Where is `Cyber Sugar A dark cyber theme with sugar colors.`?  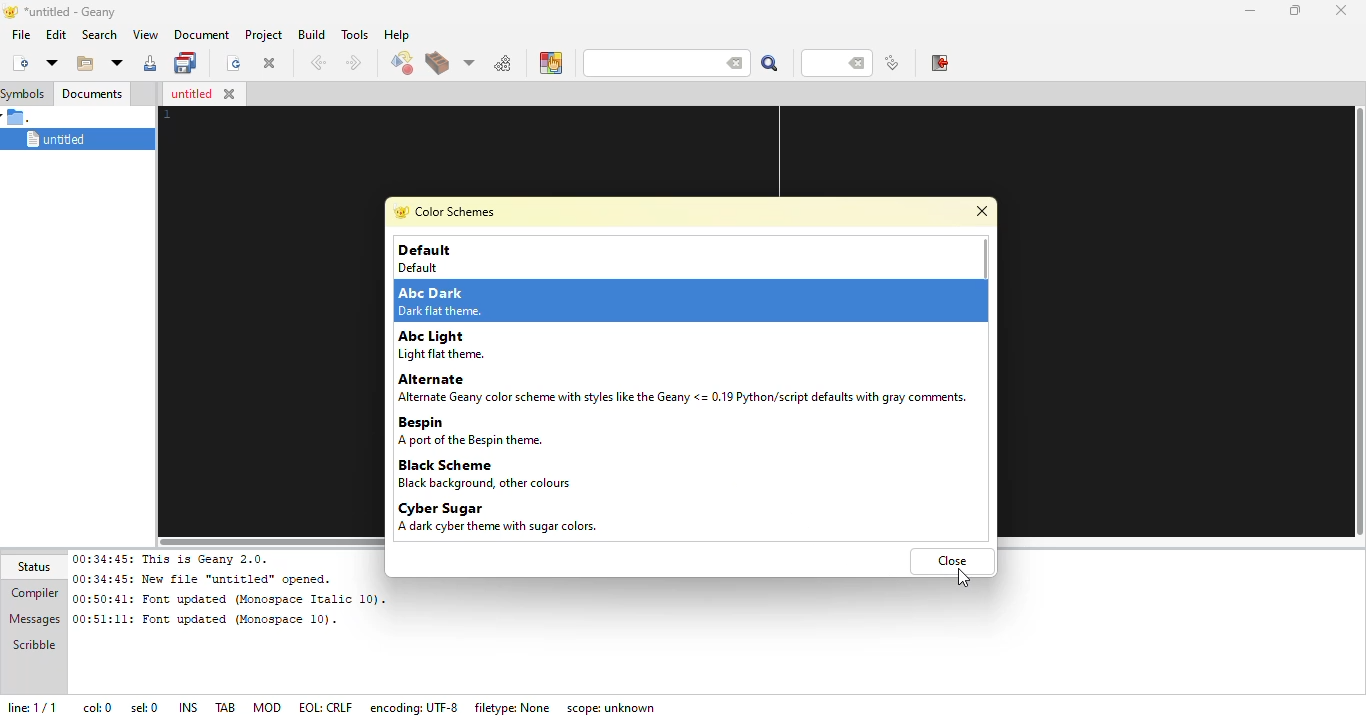
Cyber Sugar A dark cyber theme with sugar colors. is located at coordinates (496, 518).